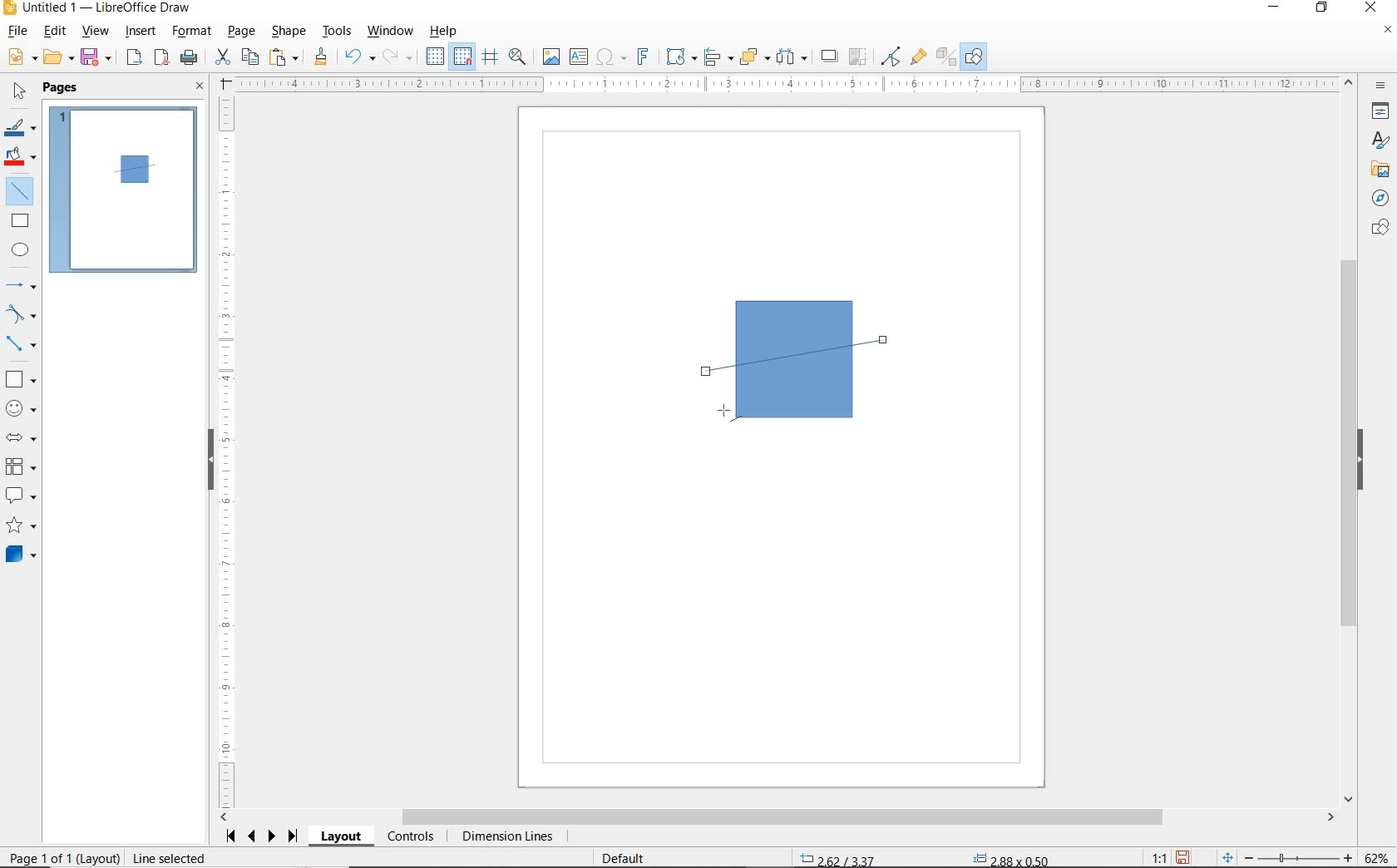 The image size is (1397, 868). I want to click on CLOSE DOCUMENT, so click(1387, 31).